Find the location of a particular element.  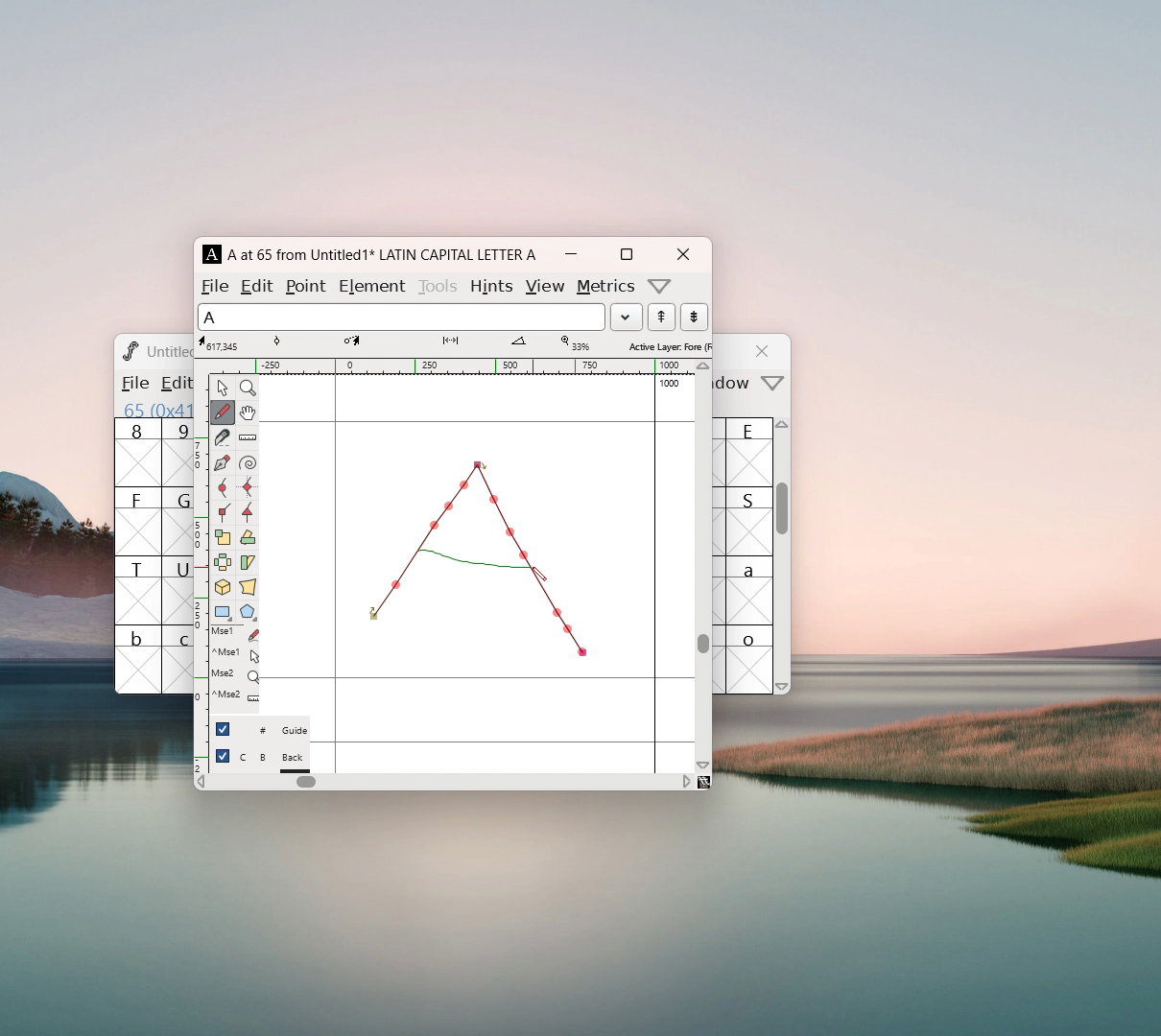

toggle spiro is located at coordinates (248, 463).